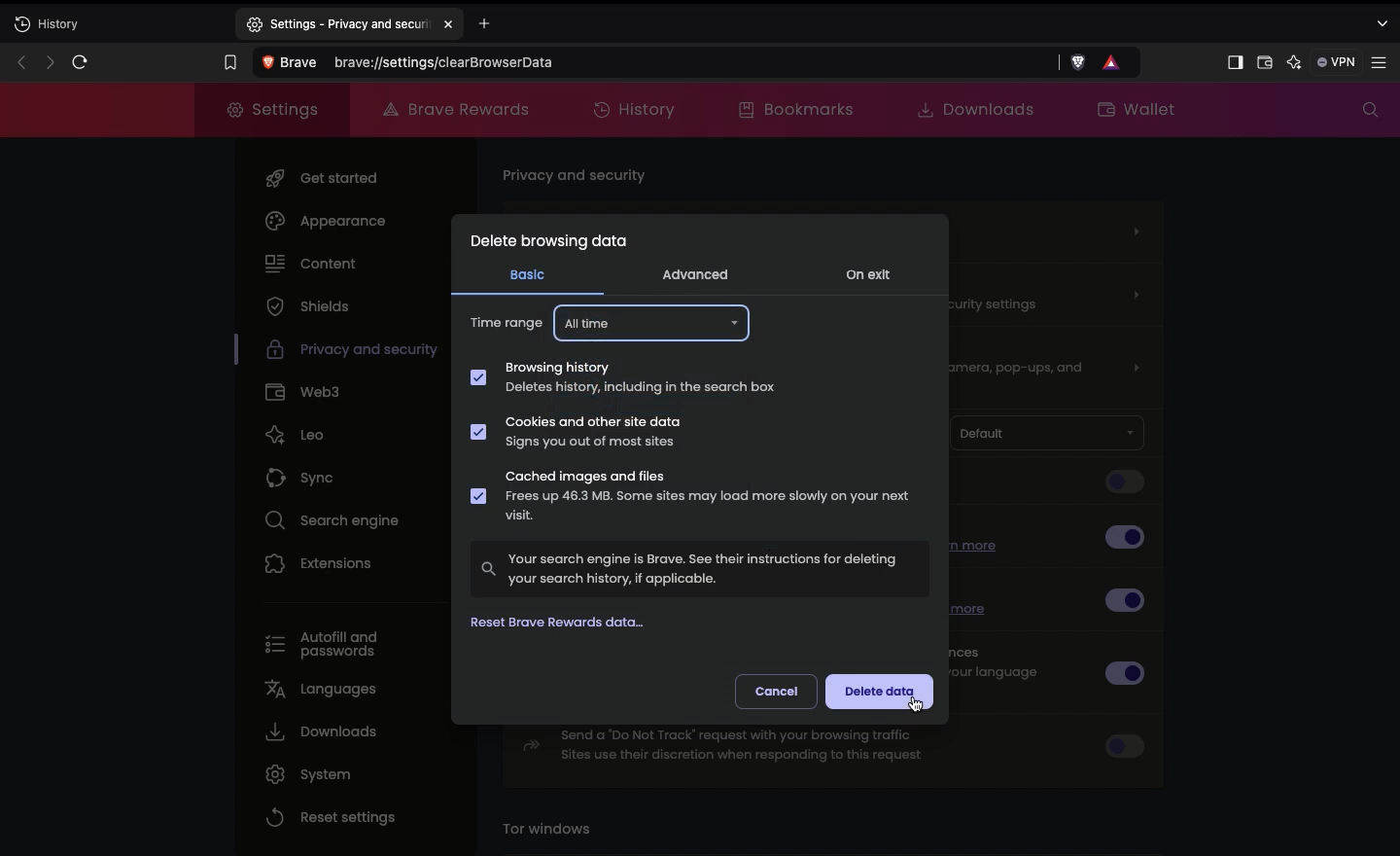 The image size is (1400, 856). I want to click on all time, so click(652, 322).